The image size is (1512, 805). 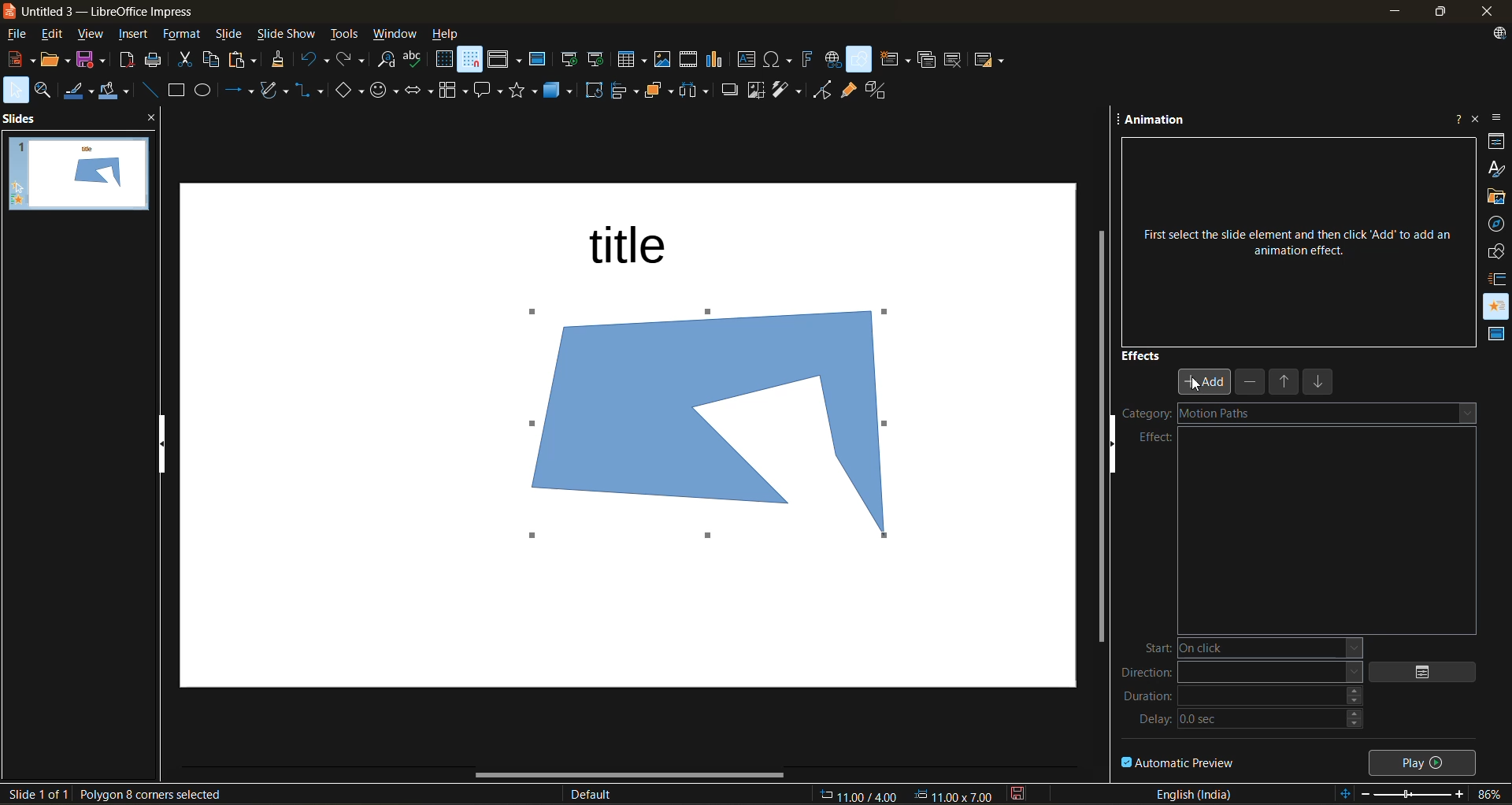 I want to click on minimize, so click(x=1392, y=13).